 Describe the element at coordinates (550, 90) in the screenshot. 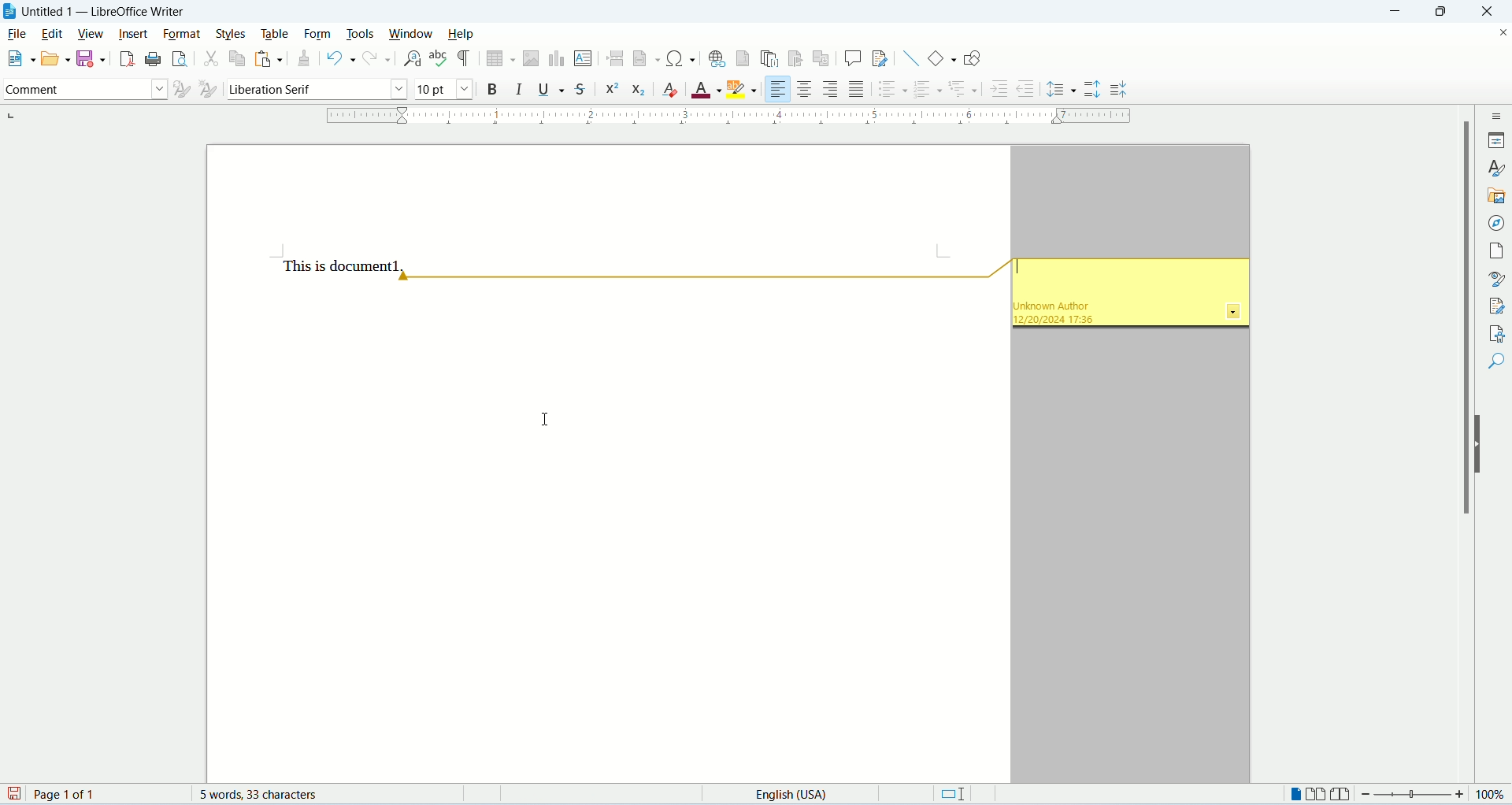

I see `underline` at that location.